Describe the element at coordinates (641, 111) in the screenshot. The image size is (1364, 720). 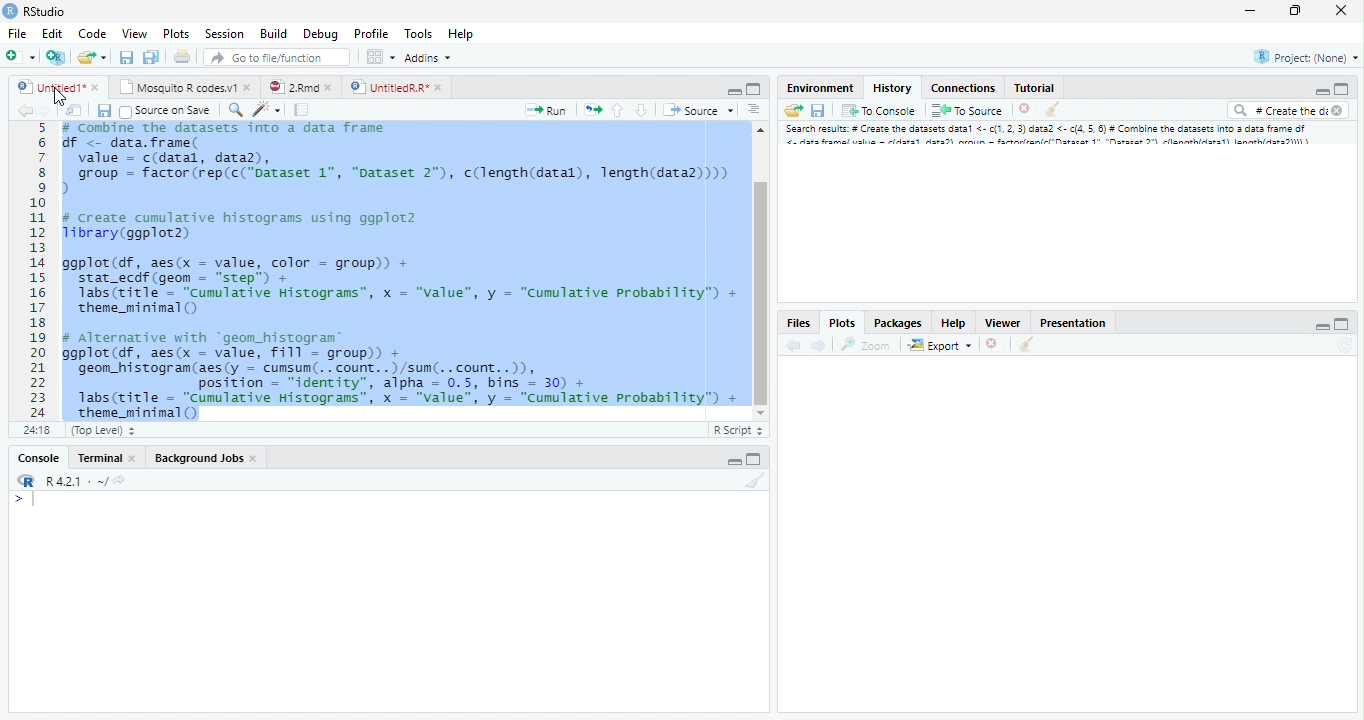
I see `Go to the next section/chunk` at that location.